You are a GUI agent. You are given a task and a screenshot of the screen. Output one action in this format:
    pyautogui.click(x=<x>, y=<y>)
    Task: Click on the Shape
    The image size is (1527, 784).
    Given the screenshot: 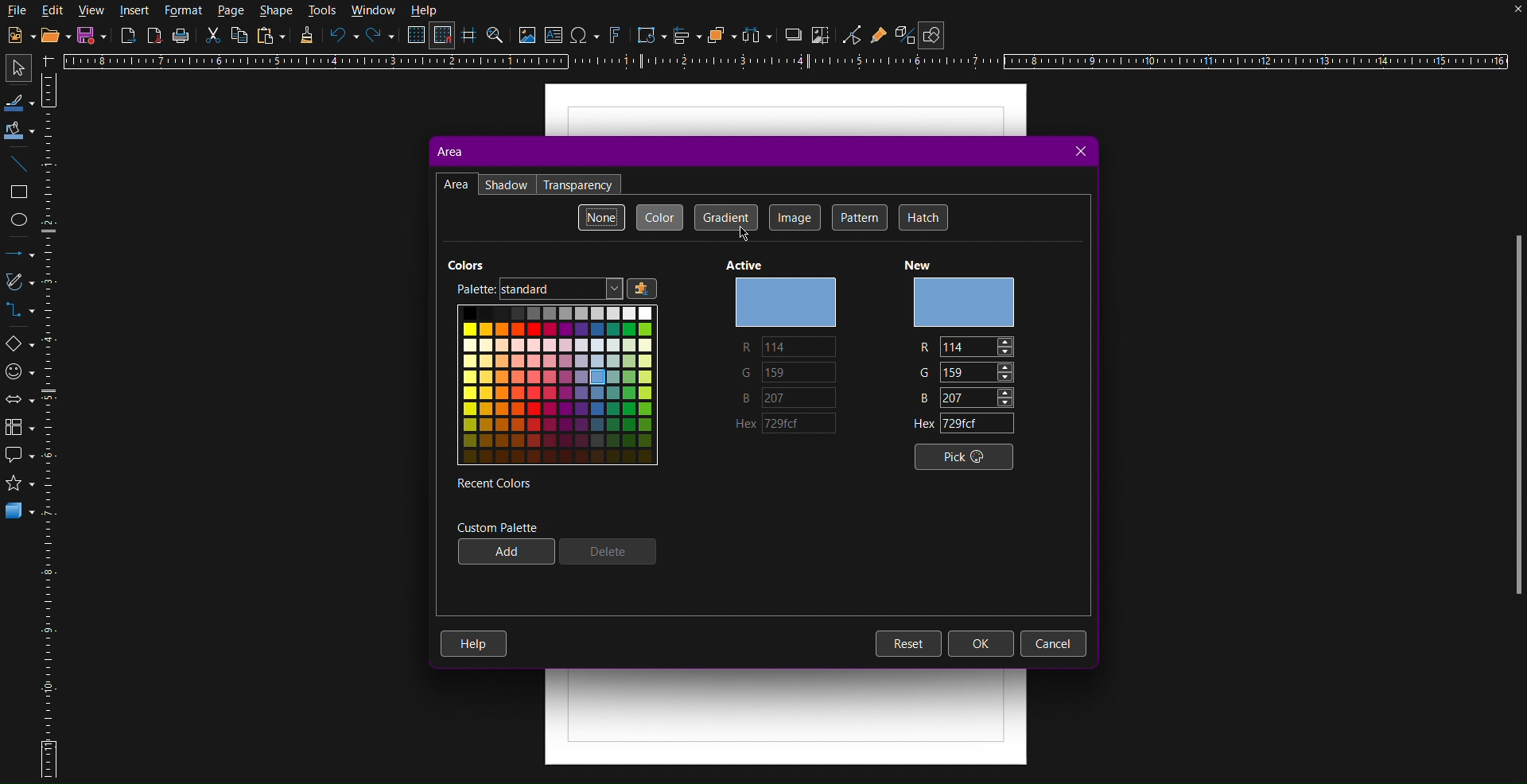 What is the action you would take?
    pyautogui.click(x=278, y=11)
    